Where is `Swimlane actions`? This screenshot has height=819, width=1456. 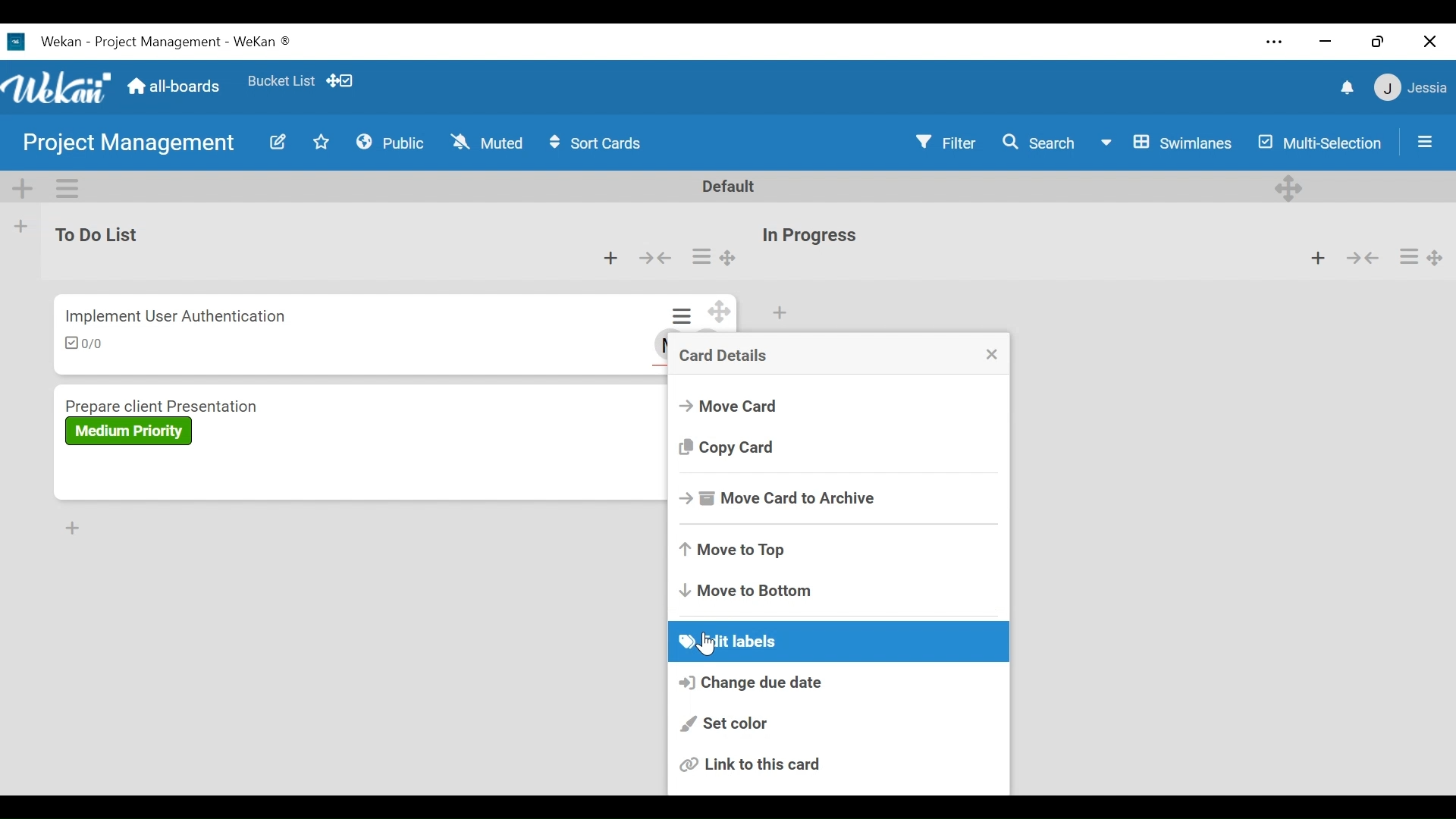 Swimlane actions is located at coordinates (69, 186).